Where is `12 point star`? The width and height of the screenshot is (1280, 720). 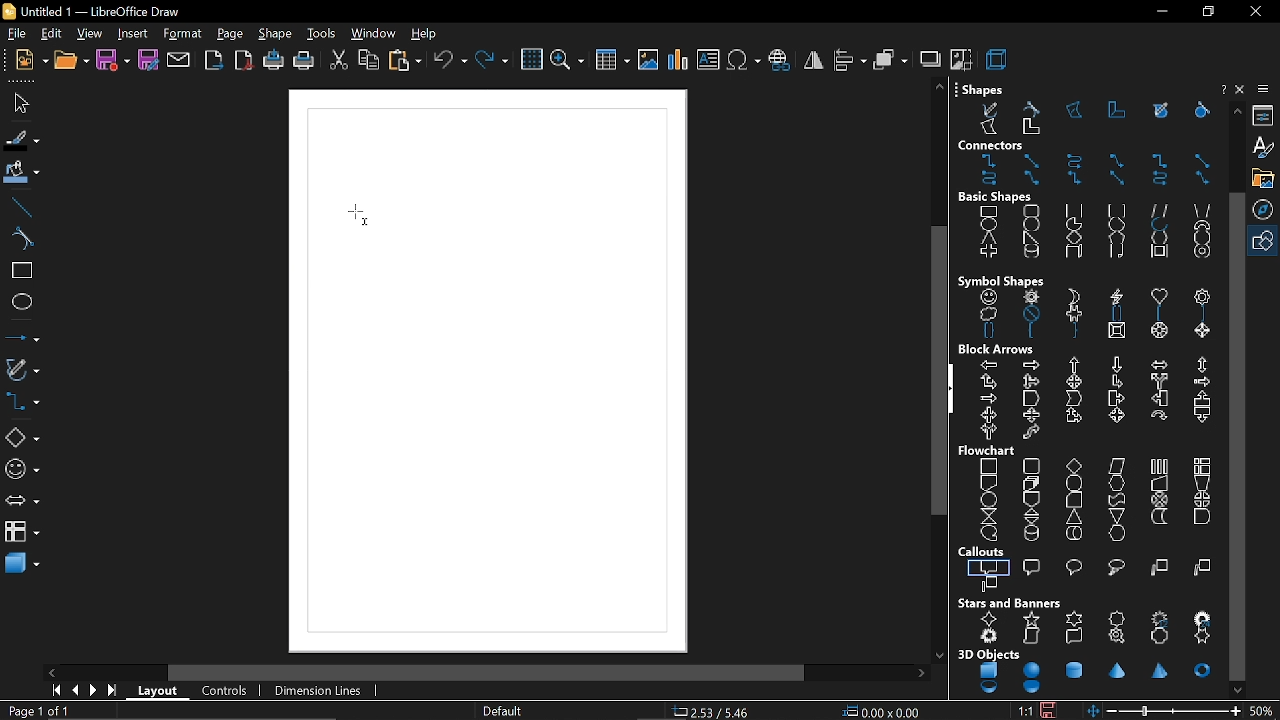 12 point star is located at coordinates (1162, 616).